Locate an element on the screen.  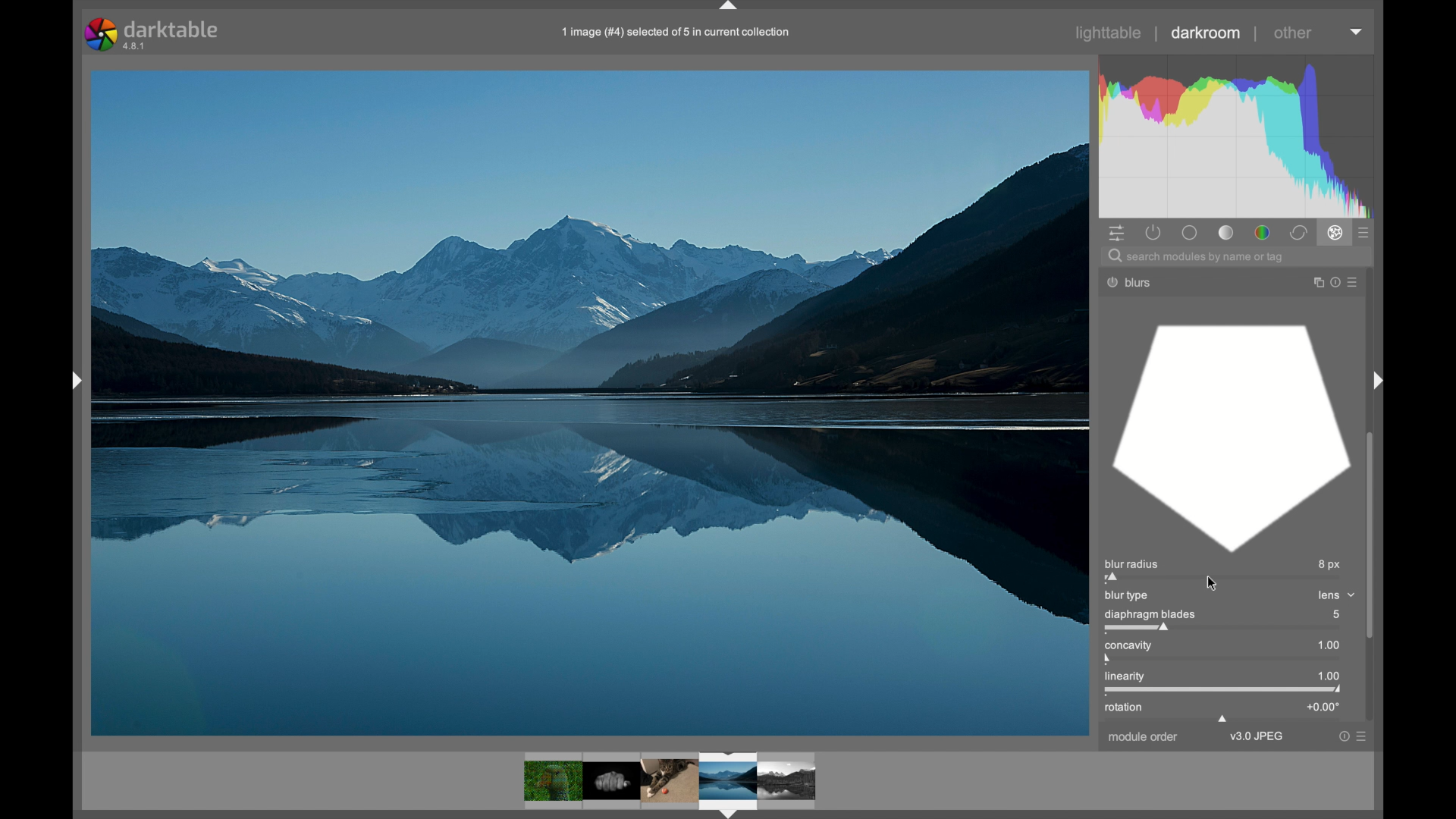
help is located at coordinates (1332, 283).